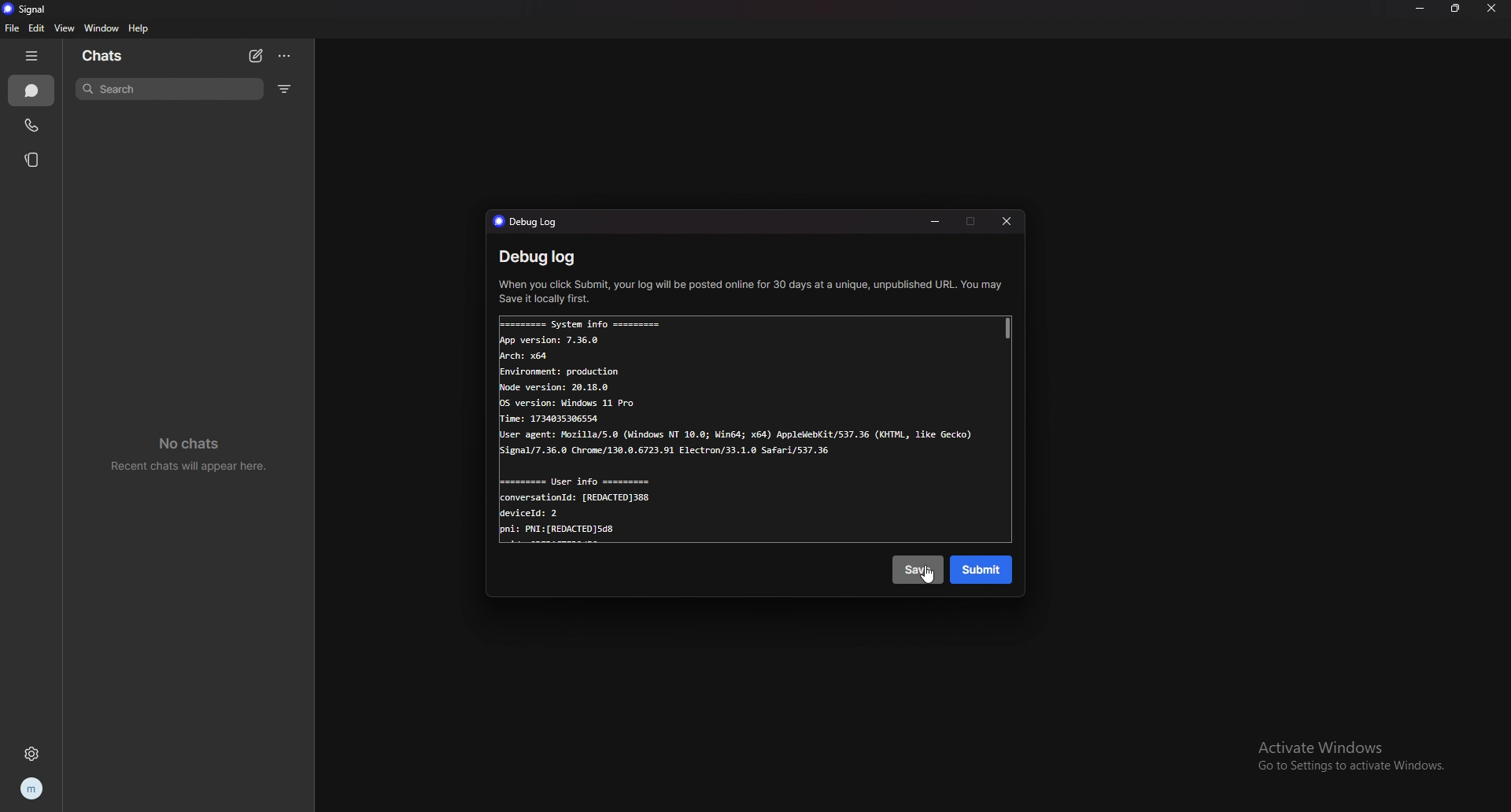  I want to click on profile, so click(30, 787).